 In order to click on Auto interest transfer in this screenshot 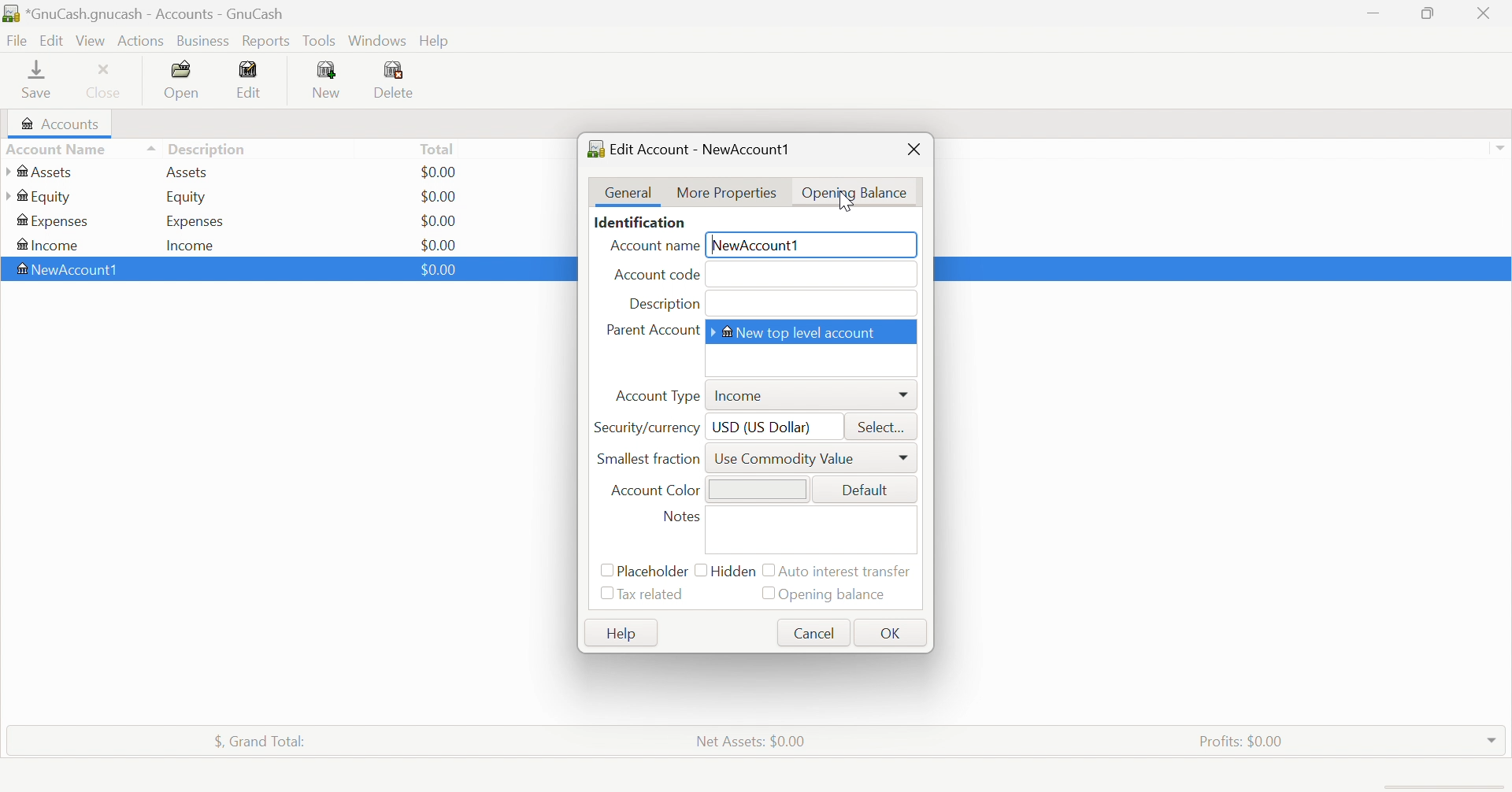, I will do `click(849, 572)`.